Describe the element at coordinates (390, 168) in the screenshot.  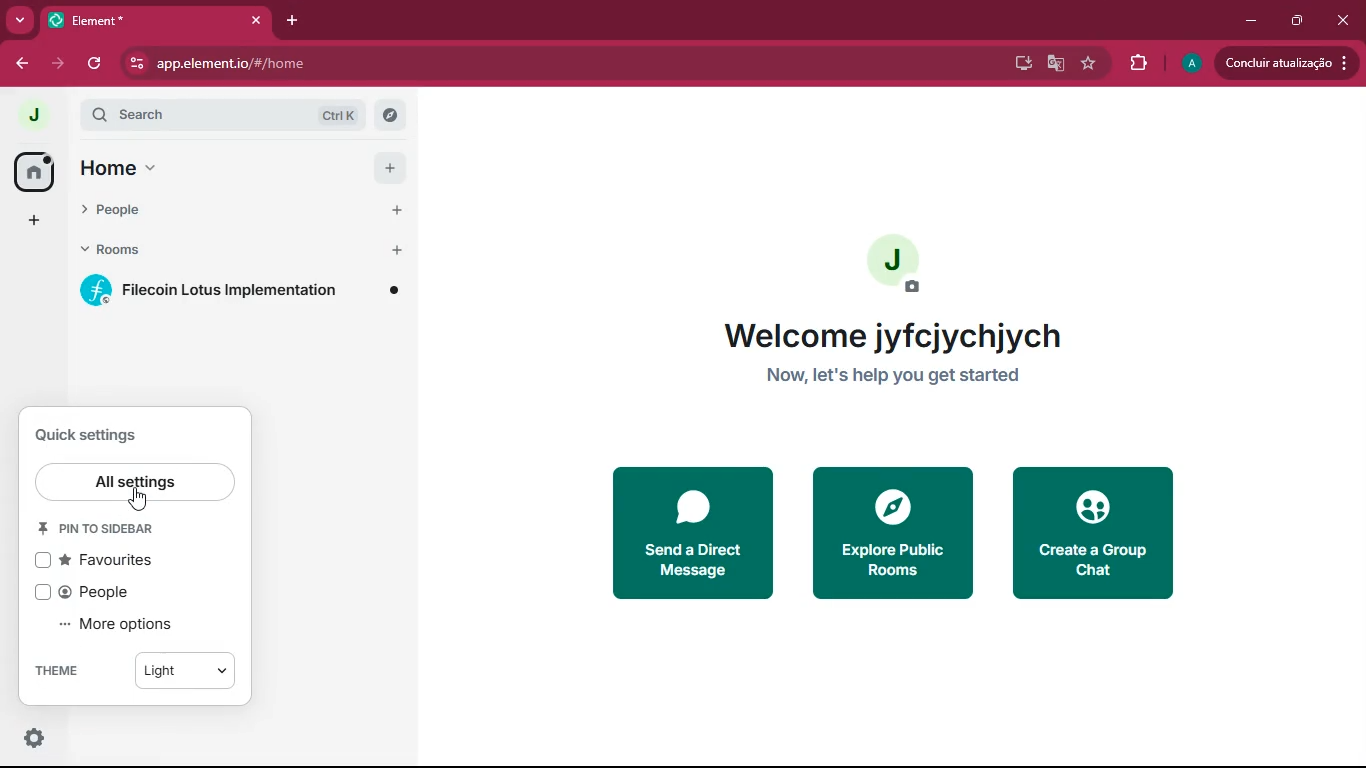
I see `add` at that location.